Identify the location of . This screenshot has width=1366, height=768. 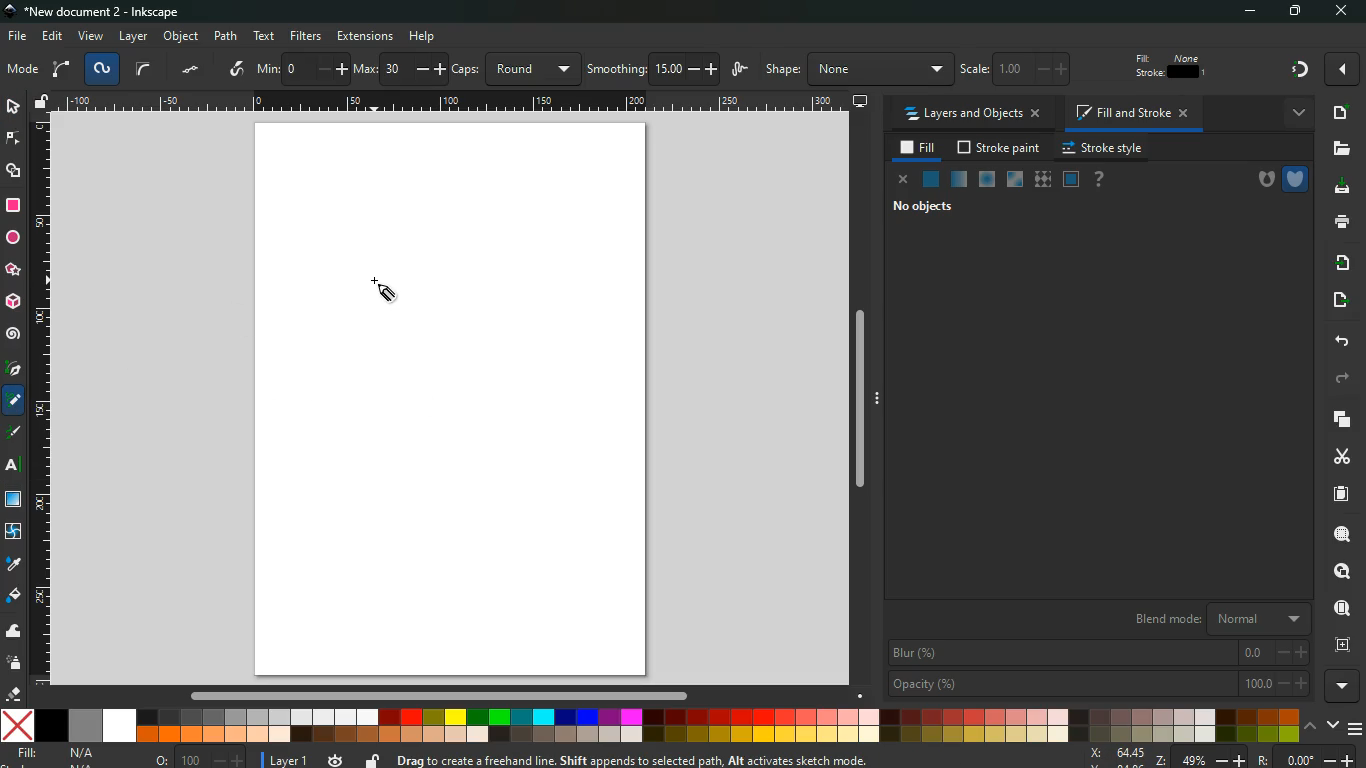
(1285, 70).